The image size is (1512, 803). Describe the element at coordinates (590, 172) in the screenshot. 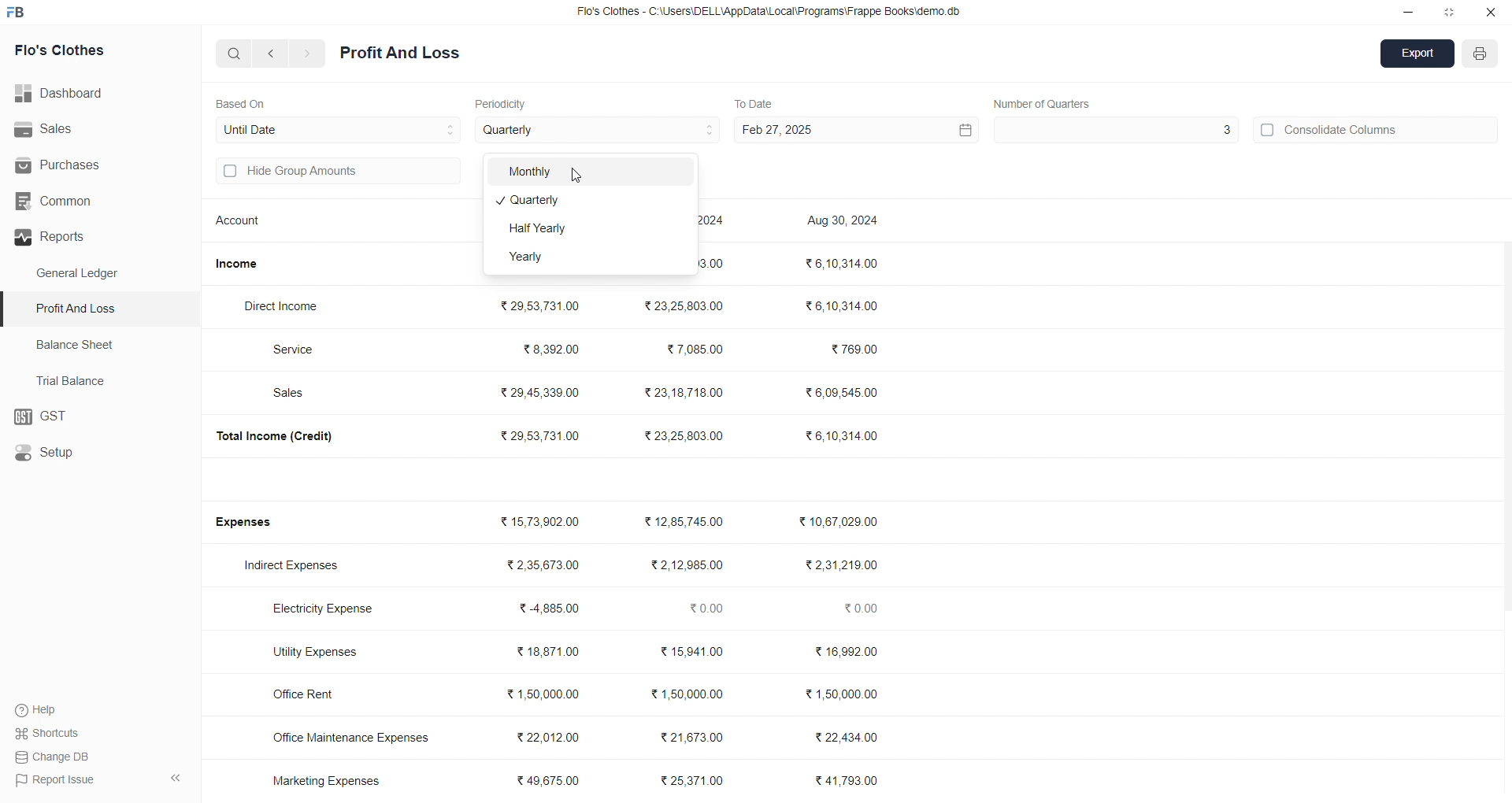

I see `monthly` at that location.